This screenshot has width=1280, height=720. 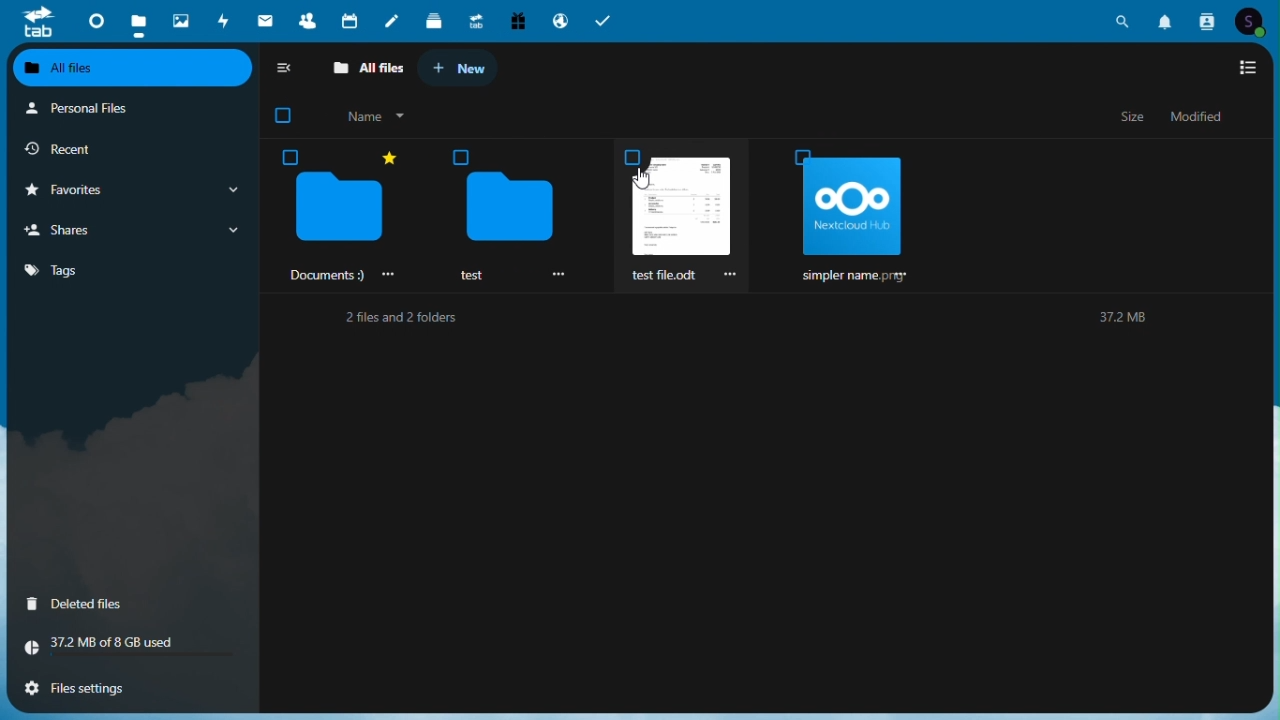 What do you see at coordinates (604, 21) in the screenshot?
I see `tasks` at bounding box center [604, 21].